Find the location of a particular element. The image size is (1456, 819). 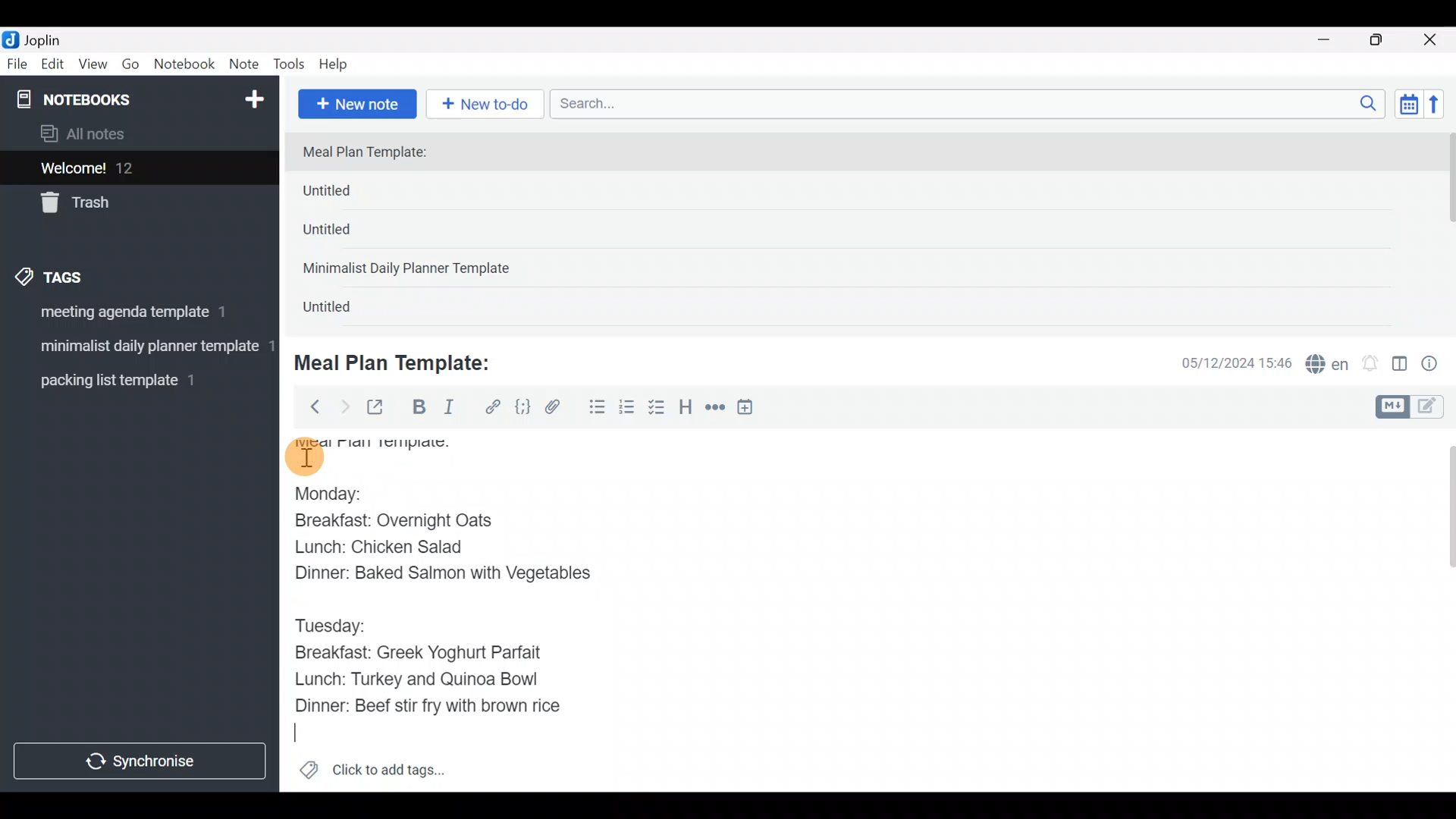

cursor is located at coordinates (303, 456).